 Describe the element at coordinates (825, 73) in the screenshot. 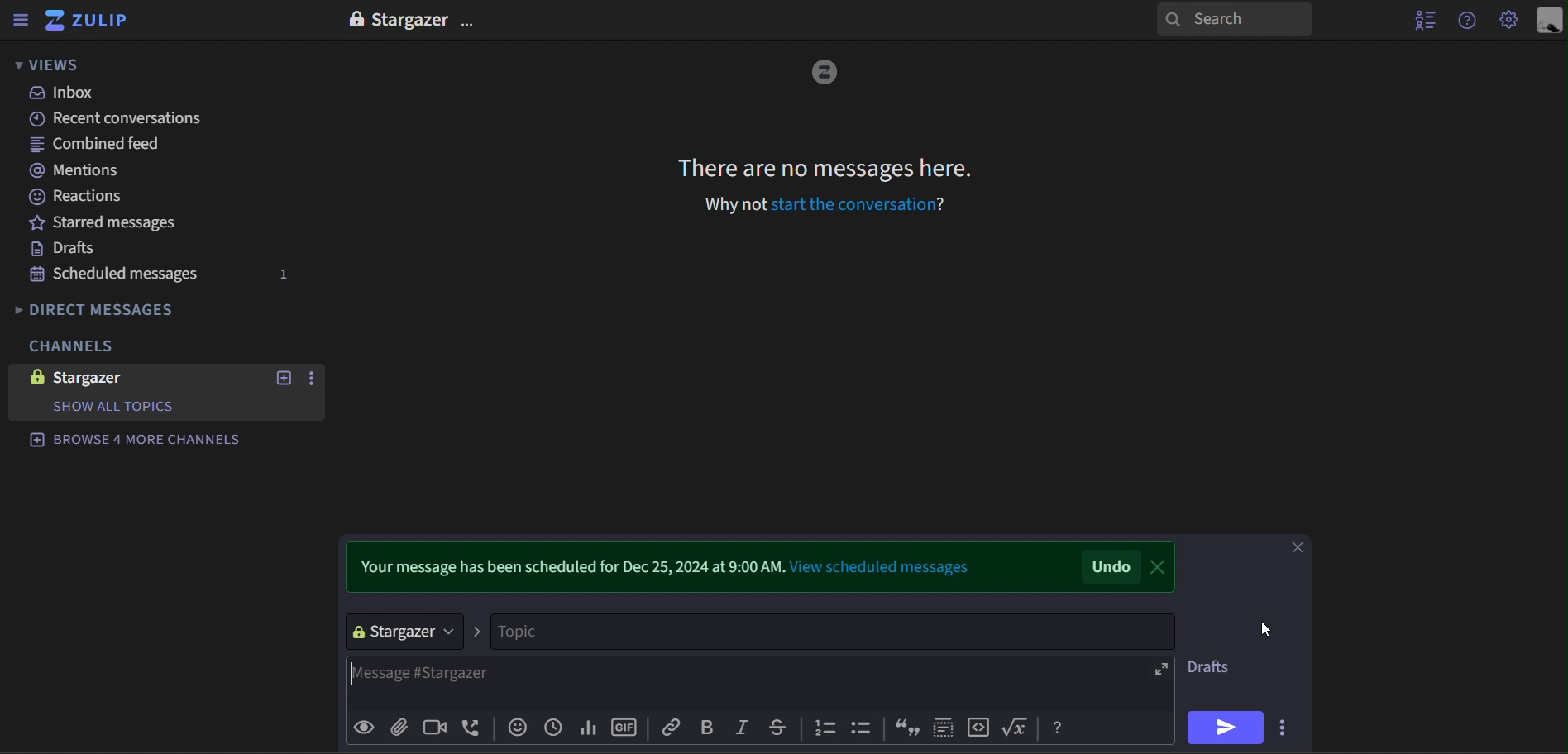

I see `image` at that location.